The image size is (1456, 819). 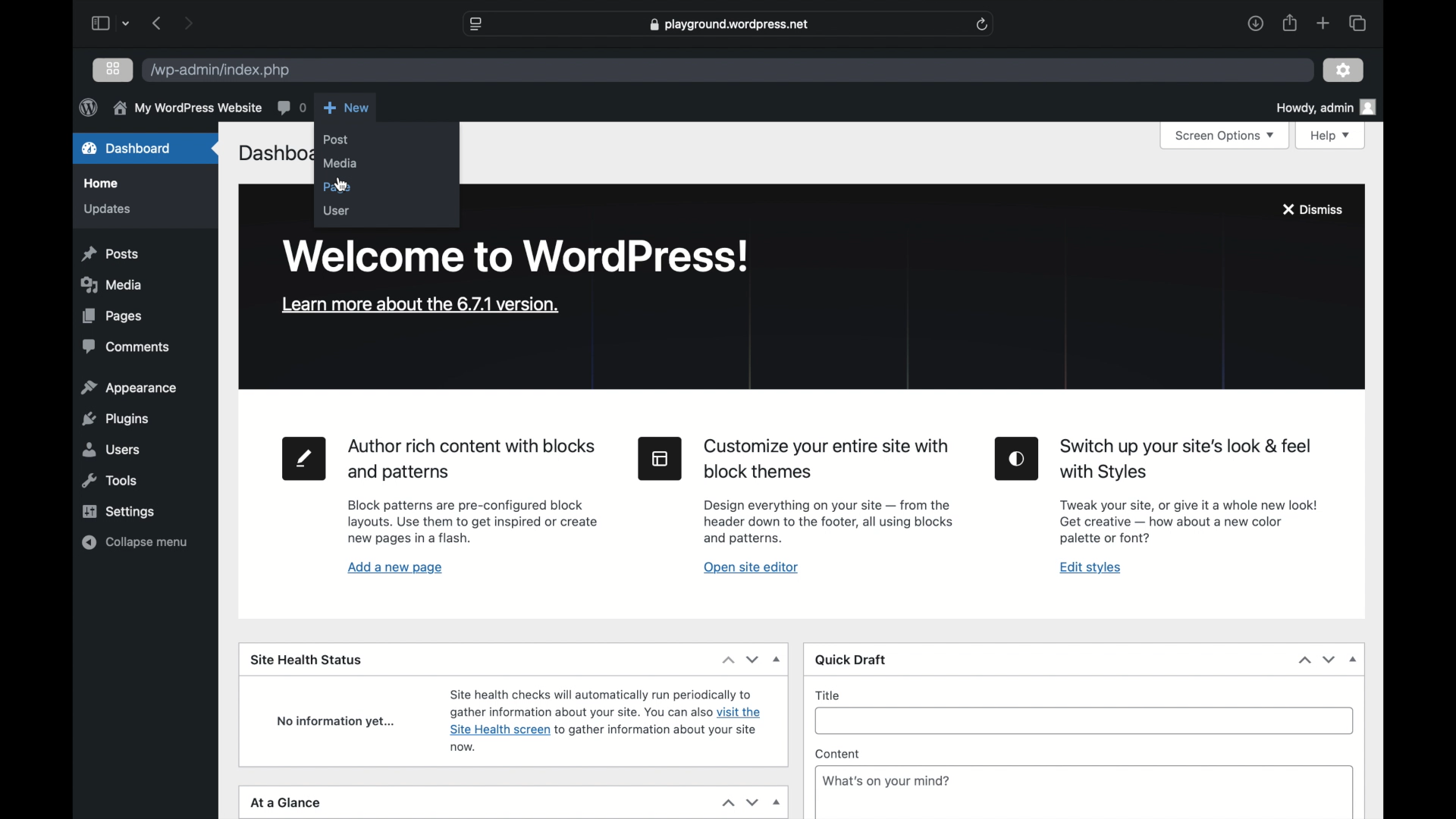 What do you see at coordinates (1090, 727) in the screenshot?
I see `title input` at bounding box center [1090, 727].